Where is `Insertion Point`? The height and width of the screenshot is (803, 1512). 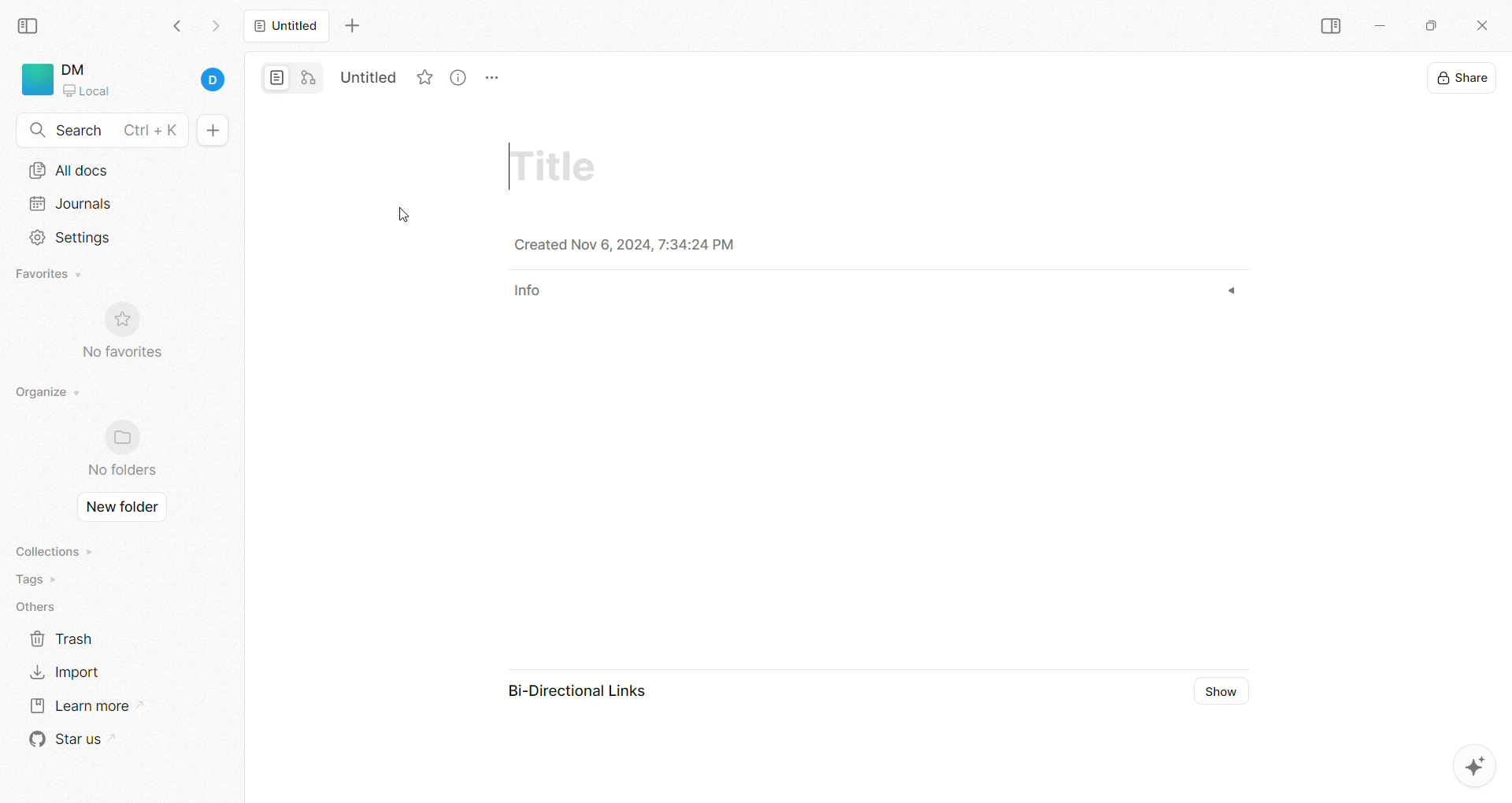 Insertion Point is located at coordinates (505, 165).